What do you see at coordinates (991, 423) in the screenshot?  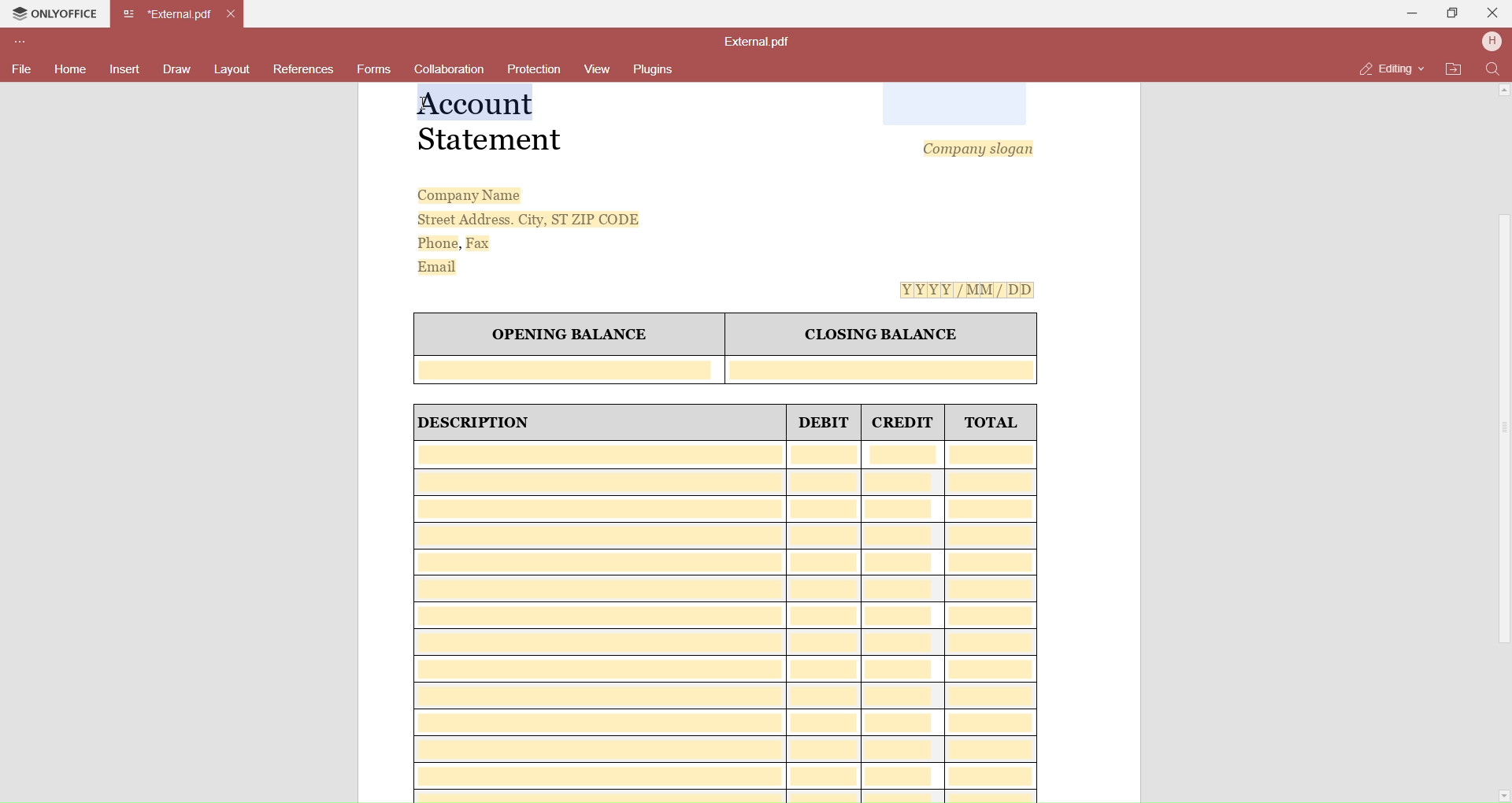 I see `TOTAL` at bounding box center [991, 423].